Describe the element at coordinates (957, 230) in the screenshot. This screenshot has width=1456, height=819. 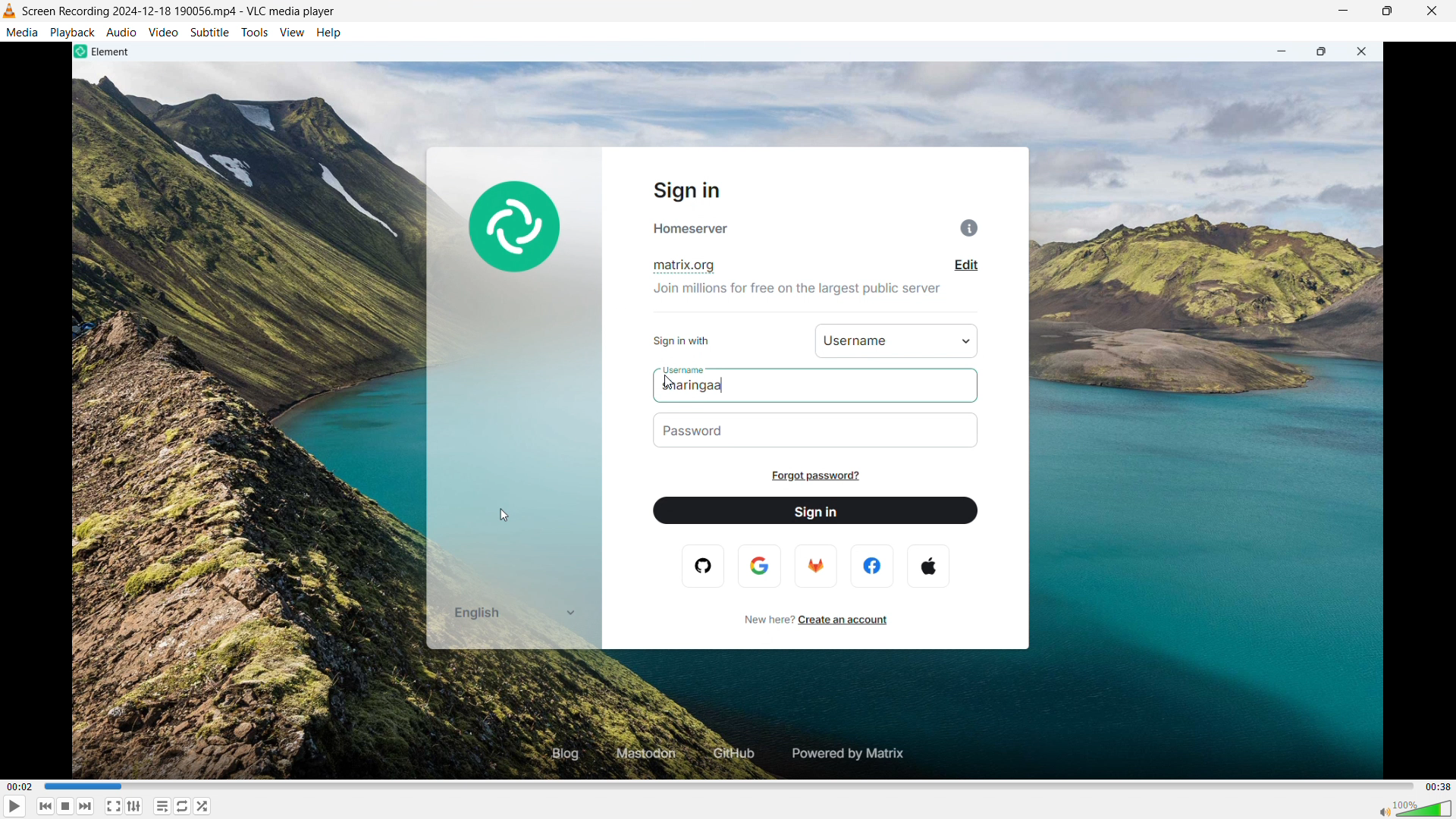
I see `info` at that location.